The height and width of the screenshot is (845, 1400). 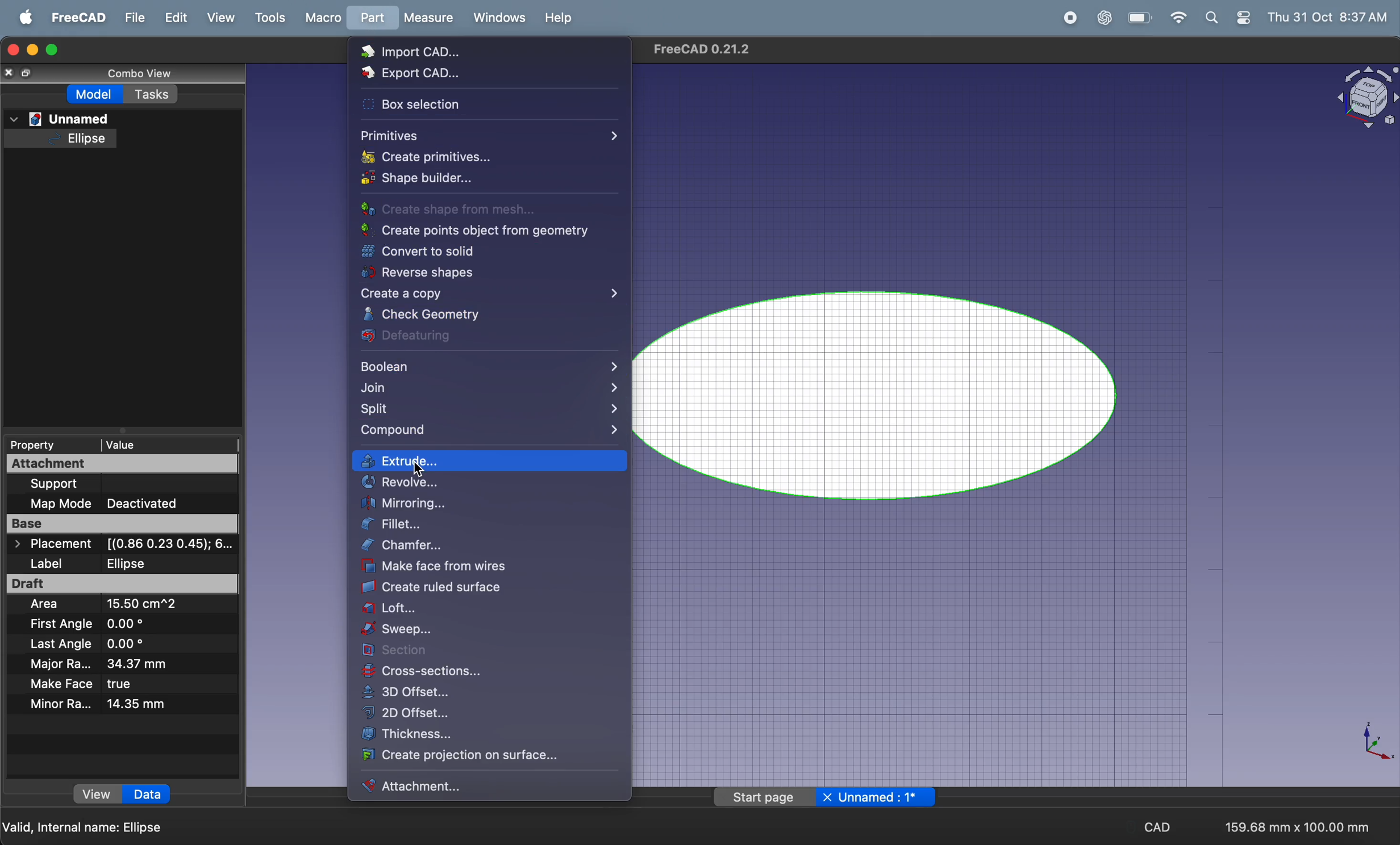 What do you see at coordinates (1176, 18) in the screenshot?
I see `wifi` at bounding box center [1176, 18].